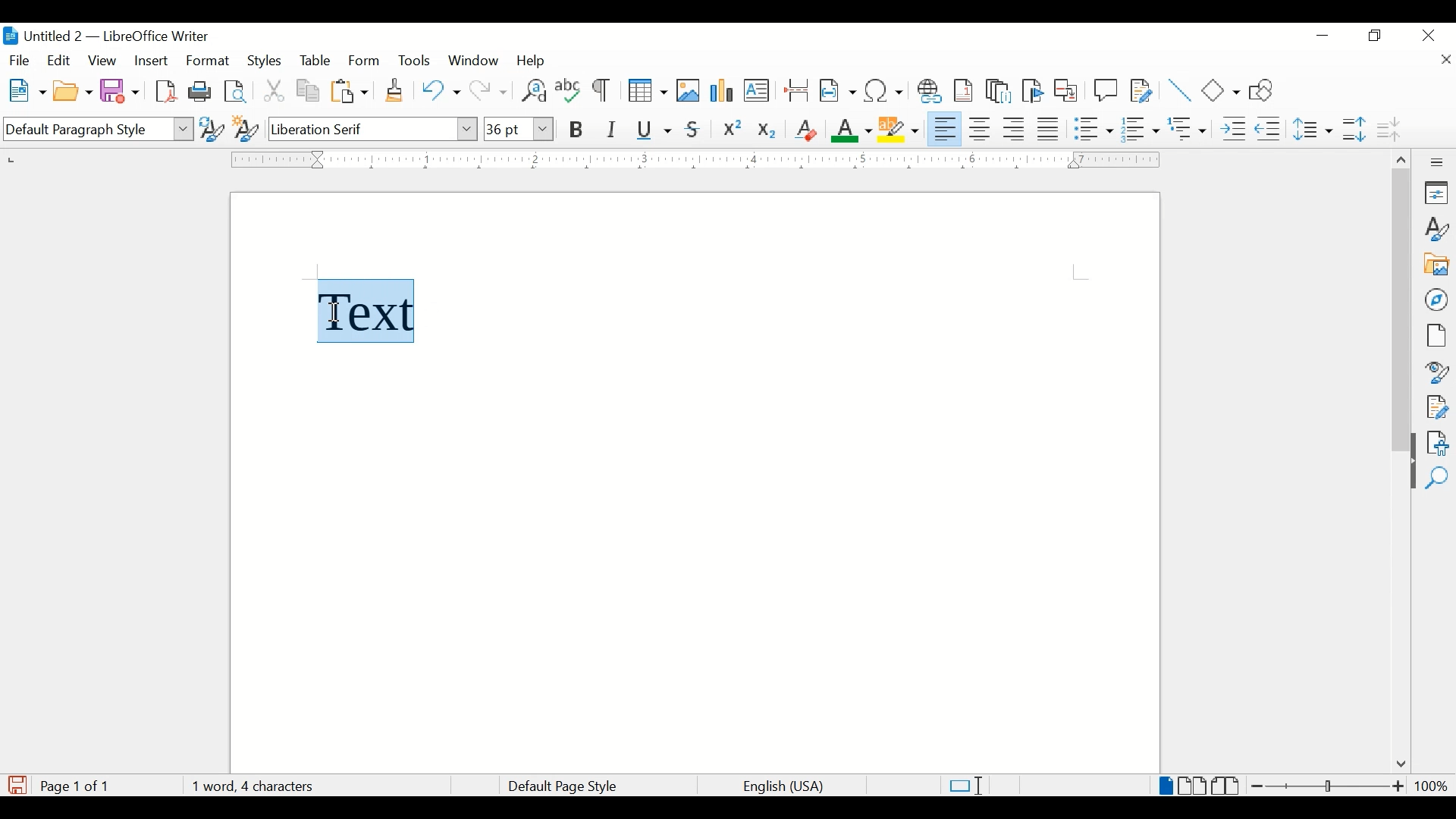 Image resolution: width=1456 pixels, height=819 pixels. Describe the element at coordinates (396, 91) in the screenshot. I see `clone formatting` at that location.